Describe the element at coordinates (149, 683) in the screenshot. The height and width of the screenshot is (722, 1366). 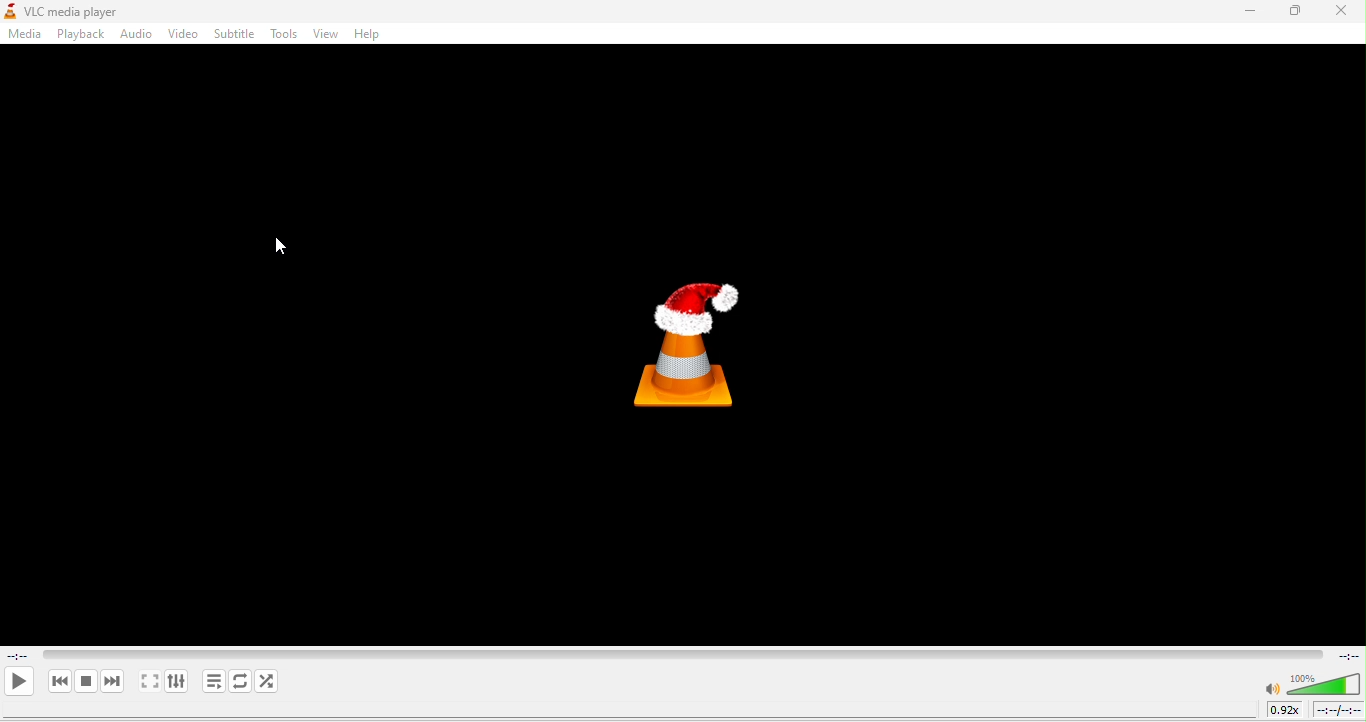
I see `toggle the video in  fullscreen` at that location.